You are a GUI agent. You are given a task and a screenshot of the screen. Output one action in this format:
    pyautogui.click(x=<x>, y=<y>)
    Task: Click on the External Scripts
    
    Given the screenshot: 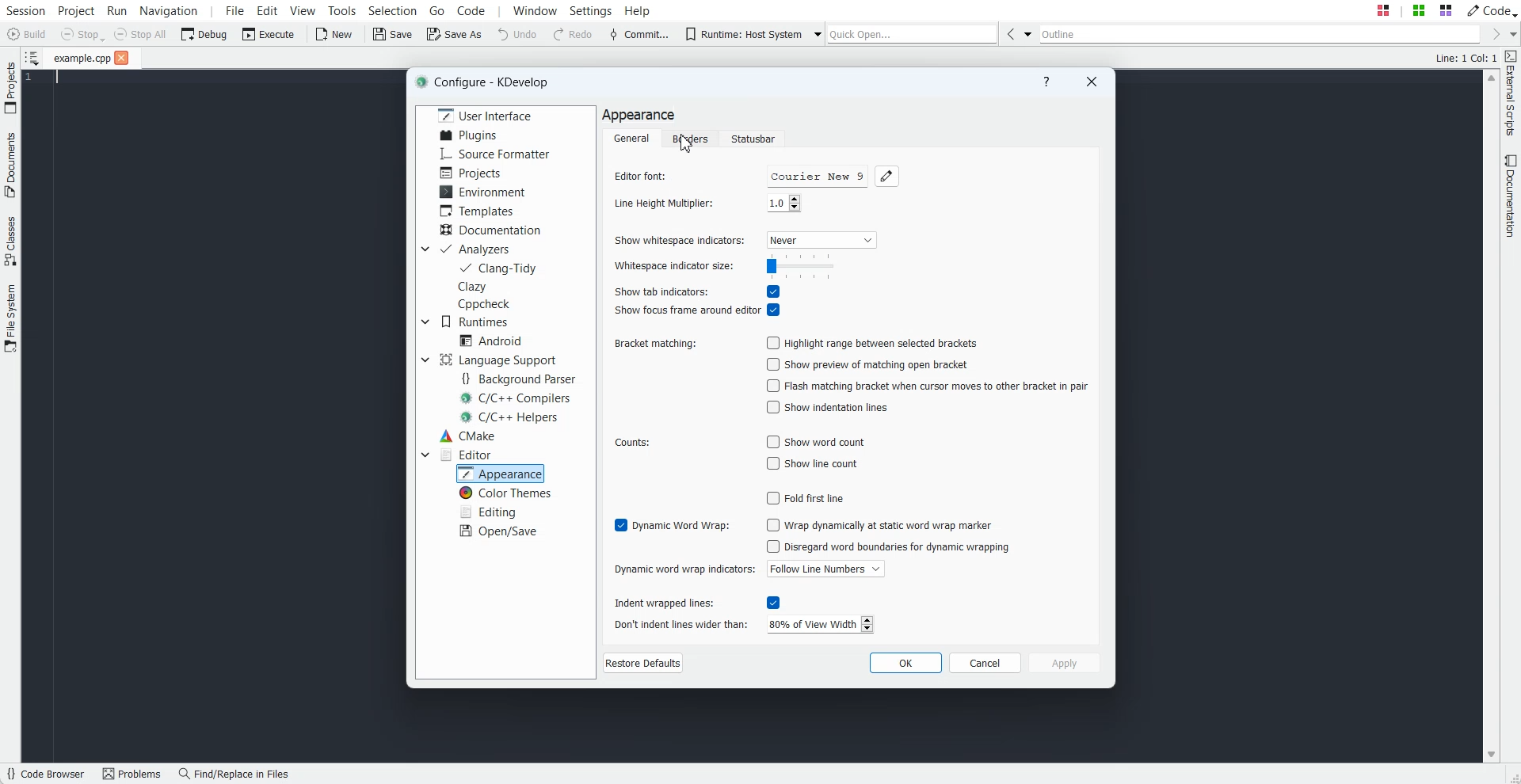 What is the action you would take?
    pyautogui.click(x=1511, y=93)
    